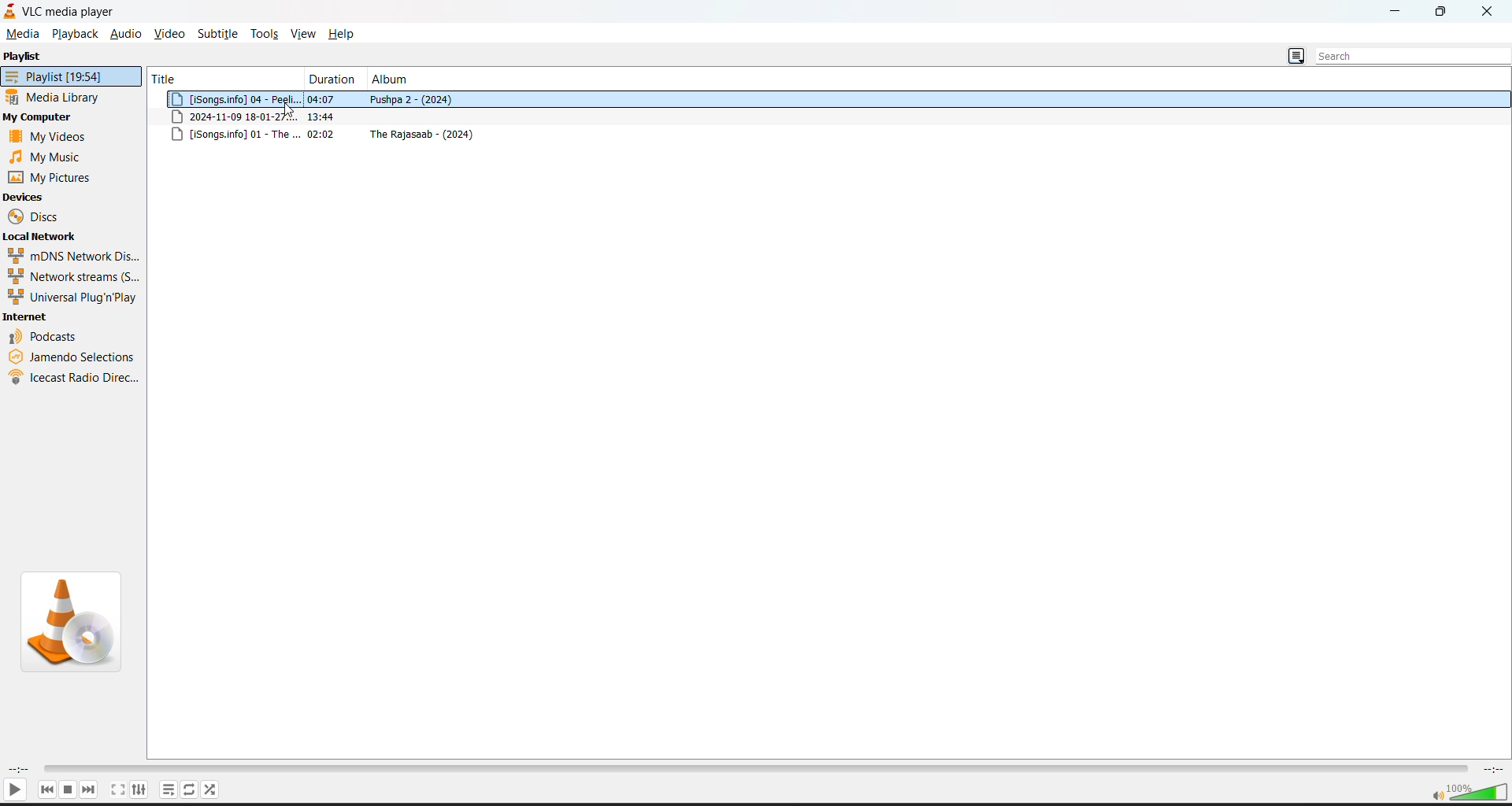  What do you see at coordinates (83, 14) in the screenshot?
I see `VLC media player` at bounding box center [83, 14].